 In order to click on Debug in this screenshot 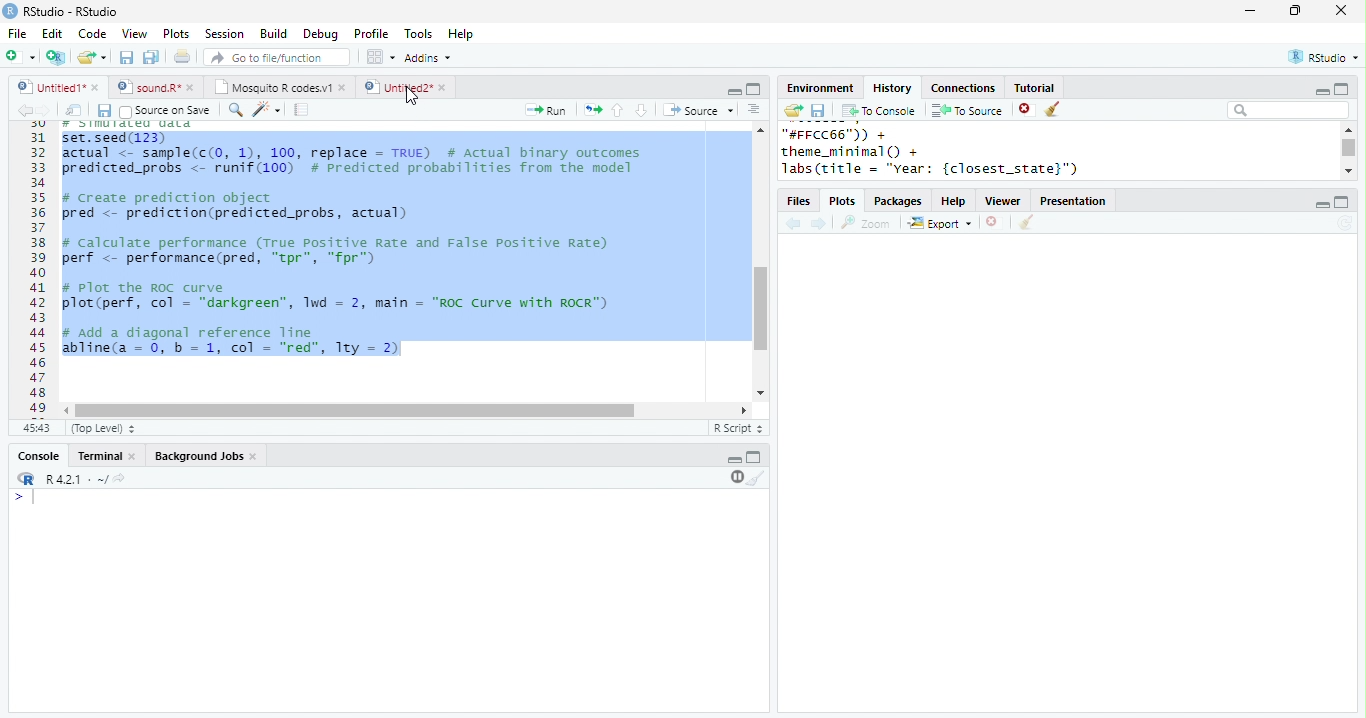, I will do `click(323, 35)`.